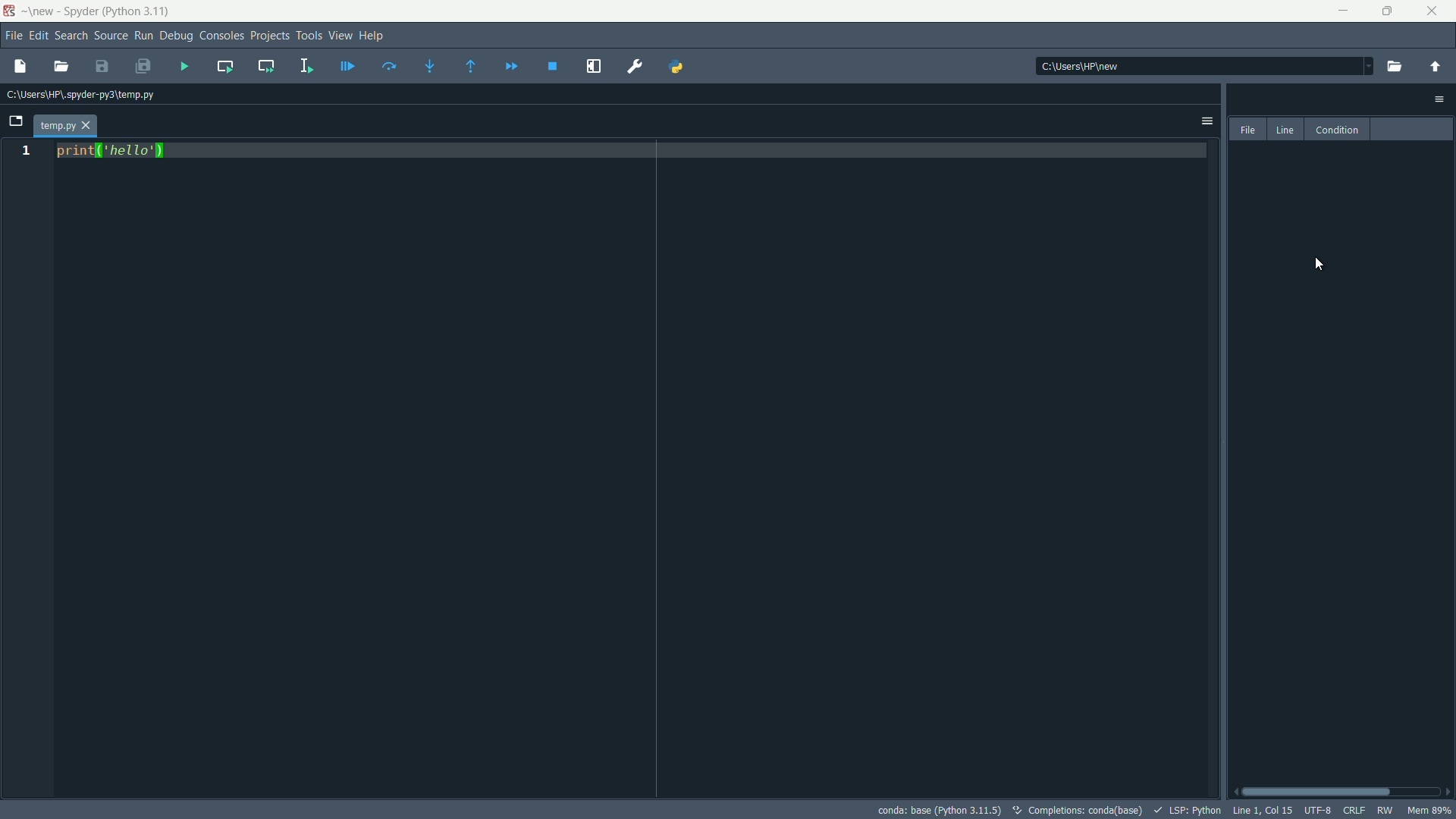  Describe the element at coordinates (1389, 11) in the screenshot. I see `maximize` at that location.